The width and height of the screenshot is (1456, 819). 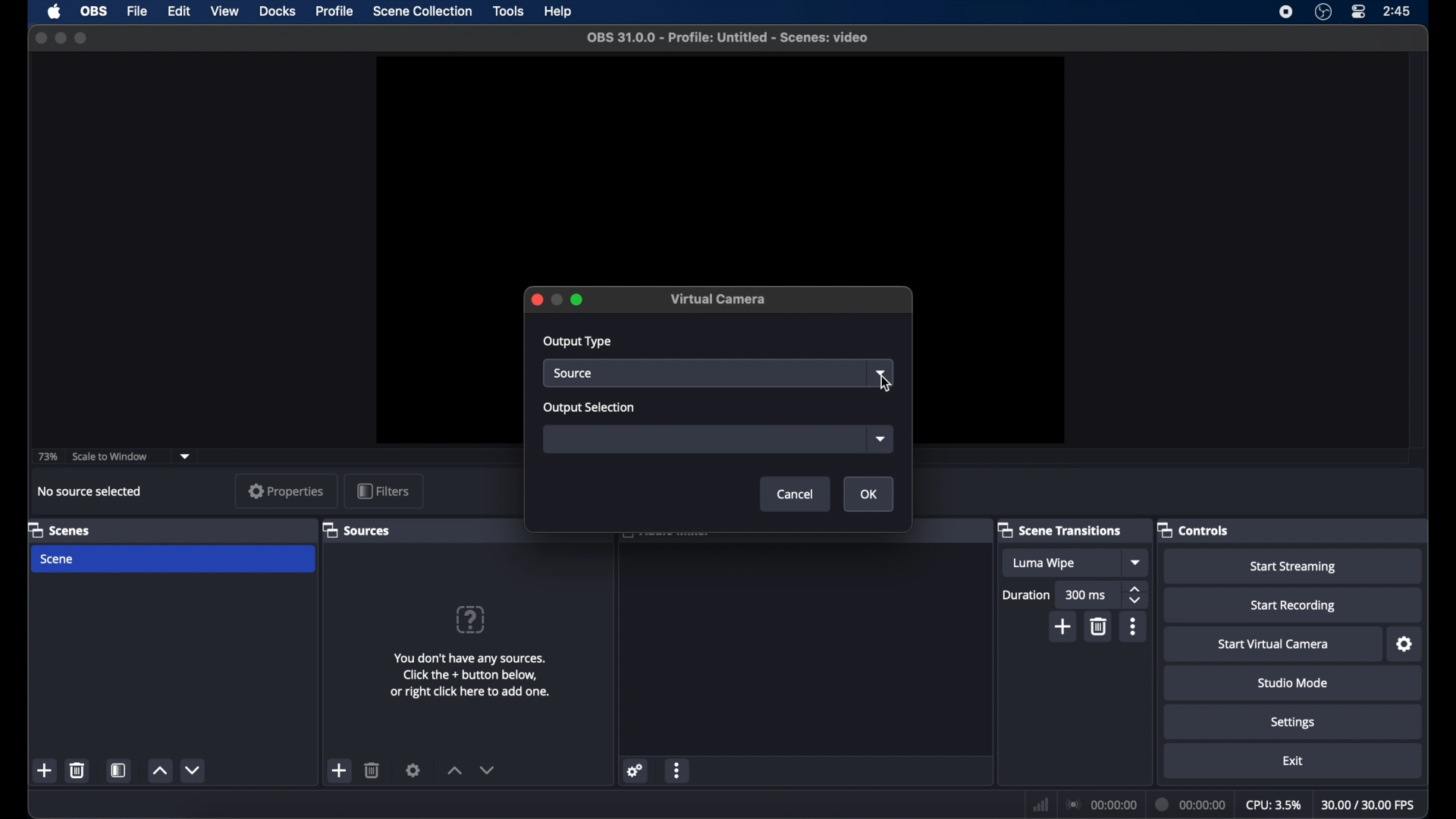 I want to click on start recording, so click(x=1295, y=605).